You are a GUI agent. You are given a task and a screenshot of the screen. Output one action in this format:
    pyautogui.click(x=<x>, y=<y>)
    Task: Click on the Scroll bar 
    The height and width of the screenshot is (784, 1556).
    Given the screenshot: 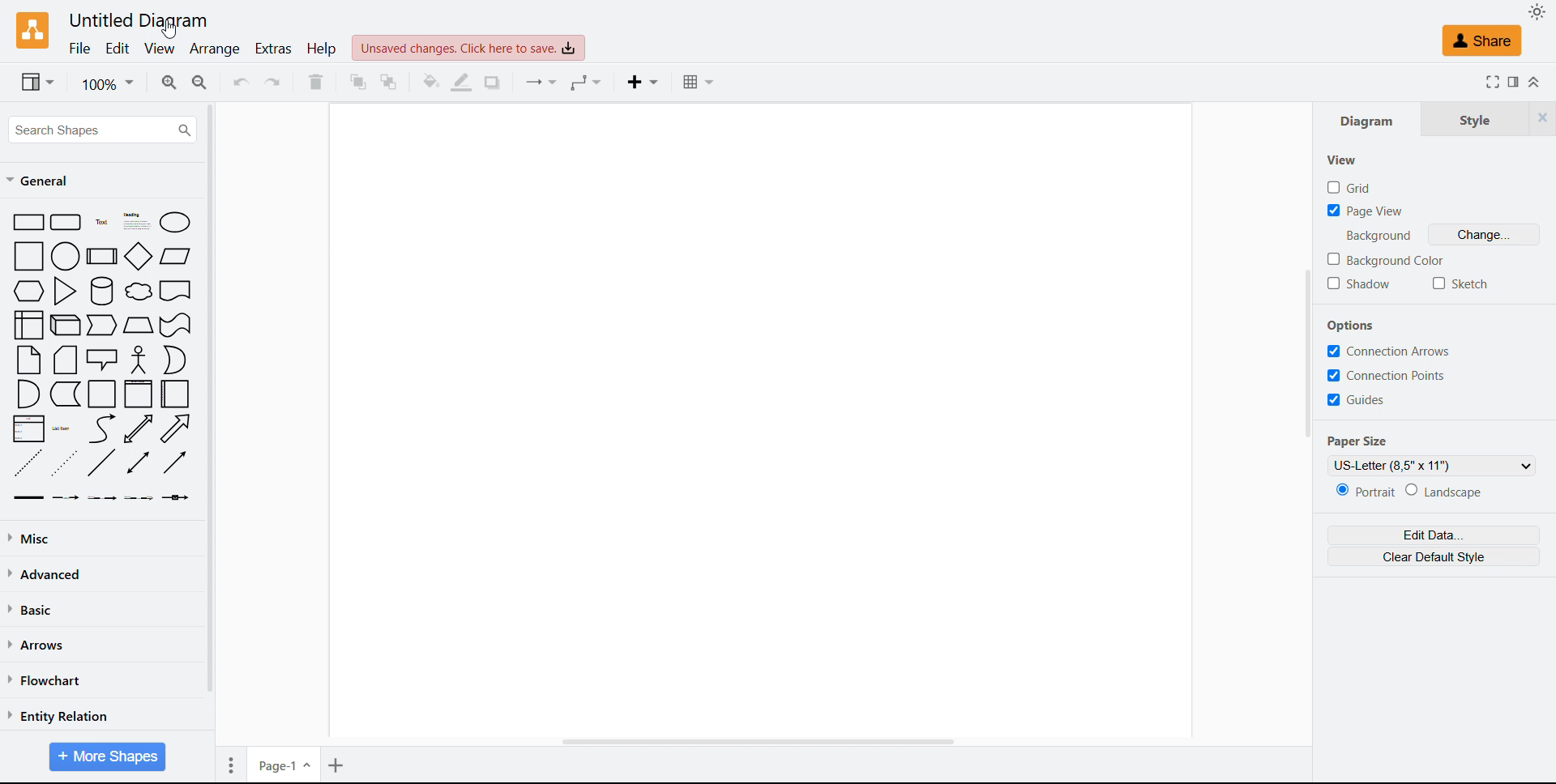 What is the action you would take?
    pyautogui.click(x=1307, y=354)
    